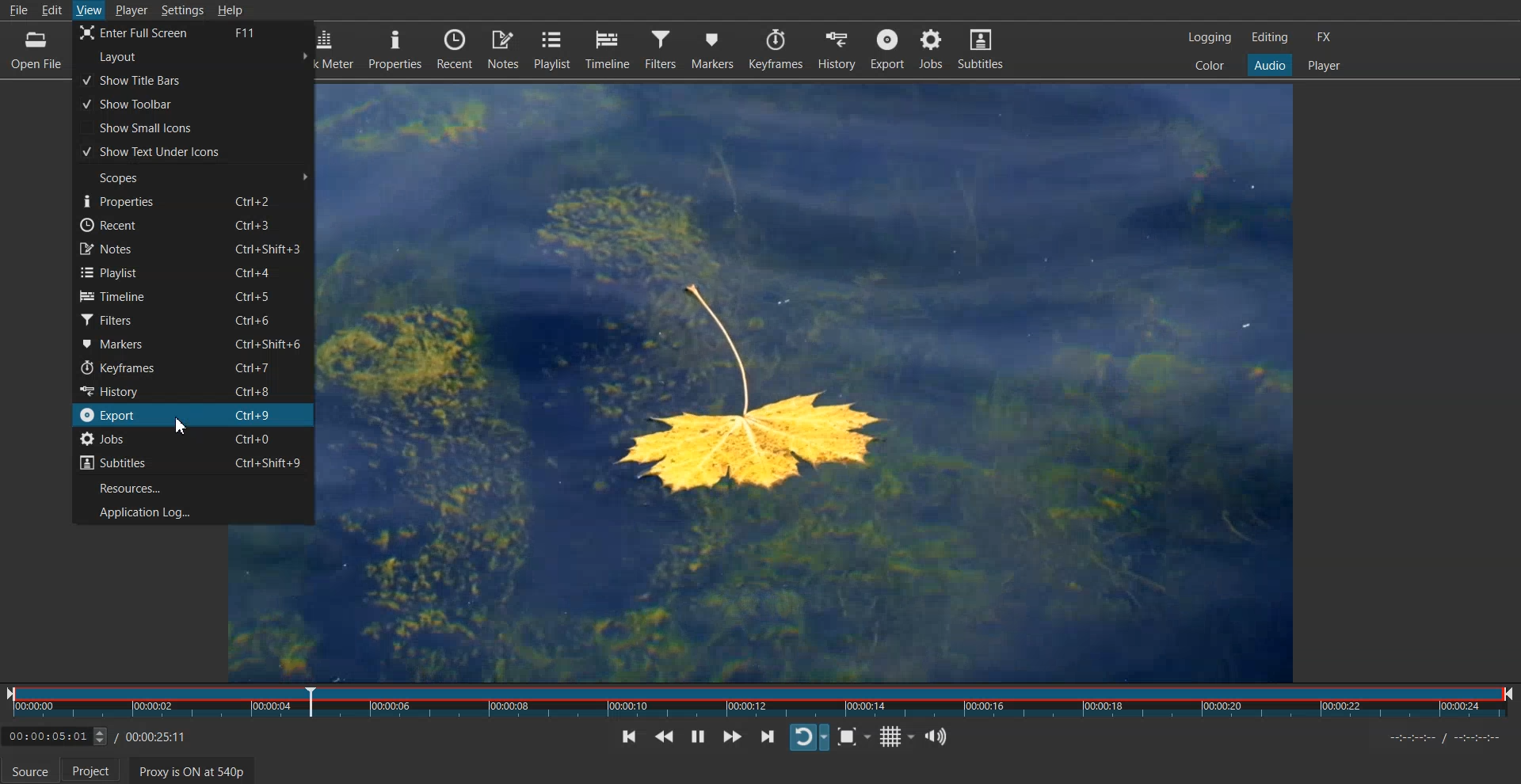  Describe the element at coordinates (930, 49) in the screenshot. I see `Jobs` at that location.